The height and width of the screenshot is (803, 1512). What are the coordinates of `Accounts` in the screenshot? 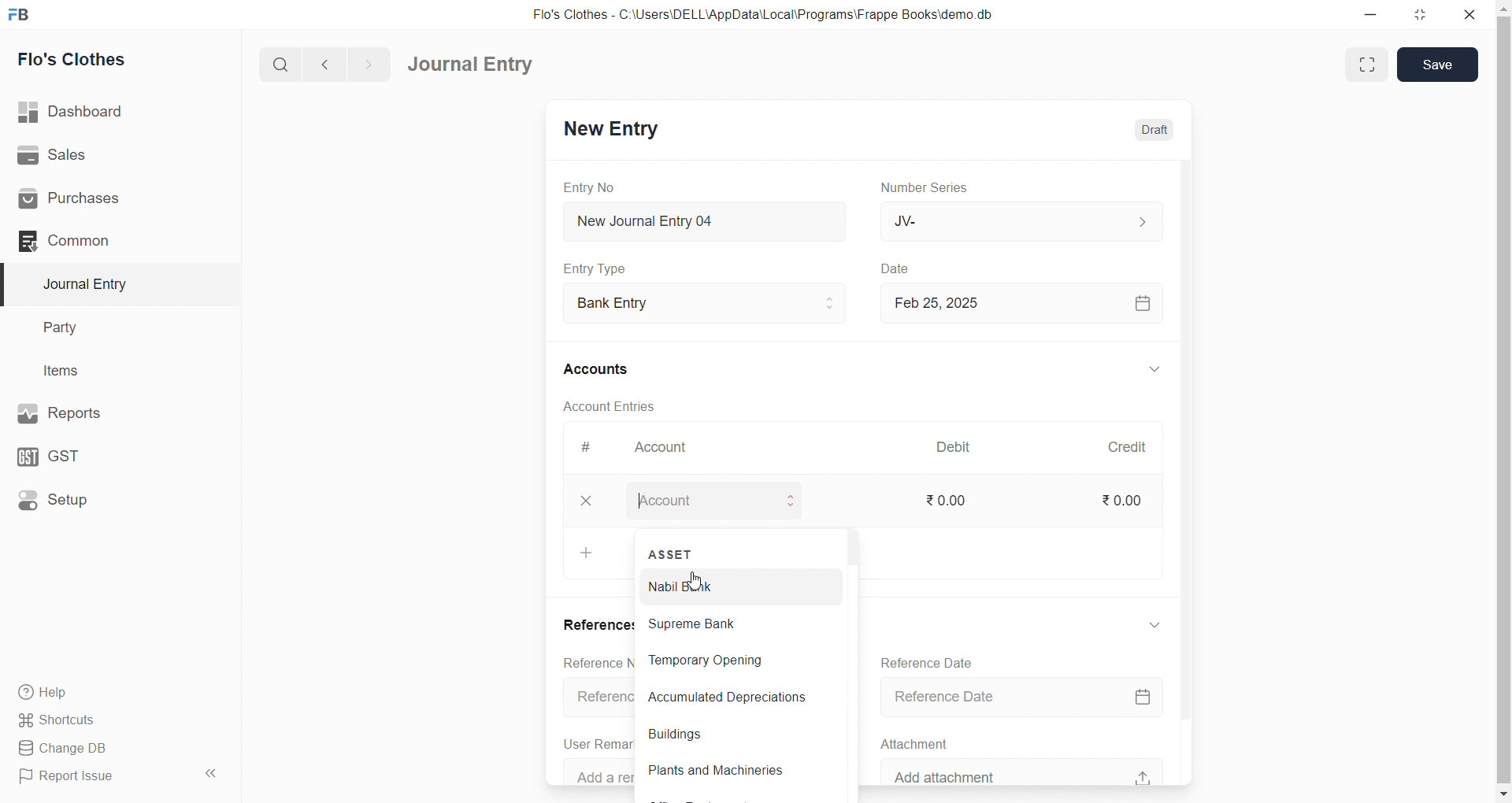 It's located at (614, 368).